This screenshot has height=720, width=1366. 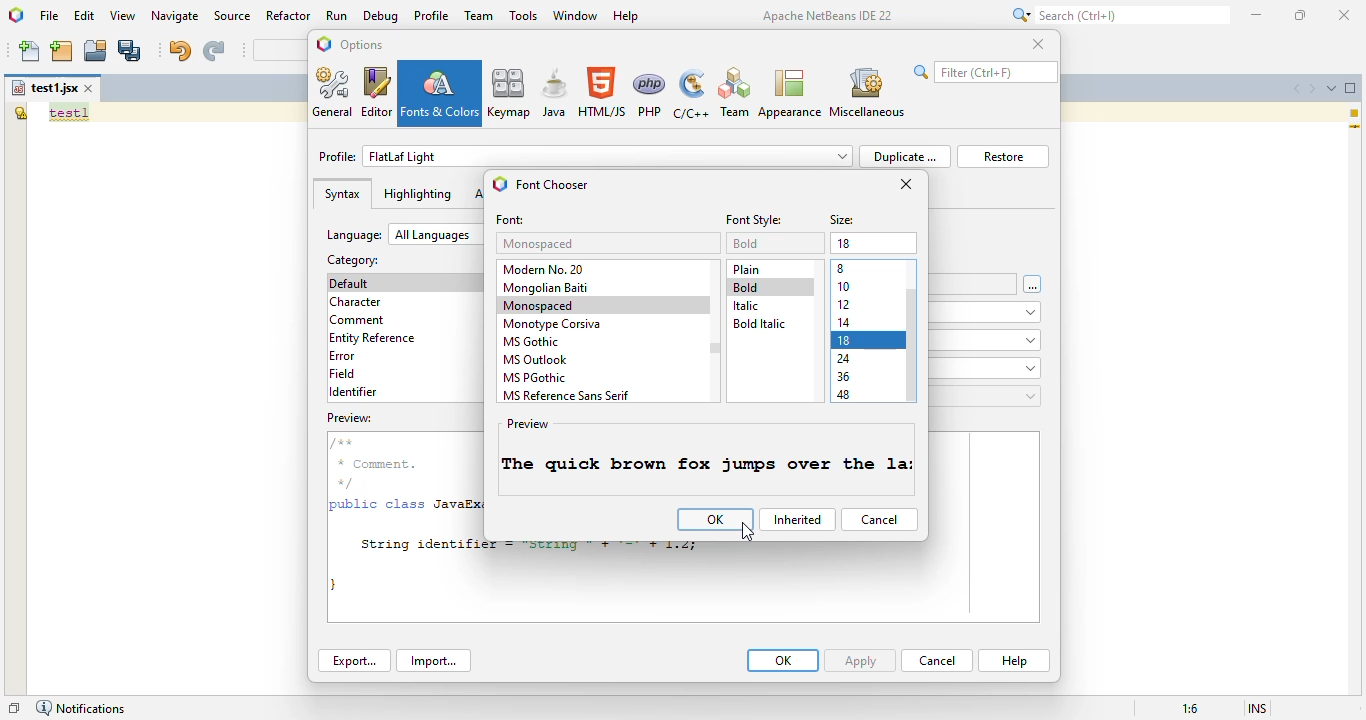 I want to click on Preview, so click(x=530, y=424).